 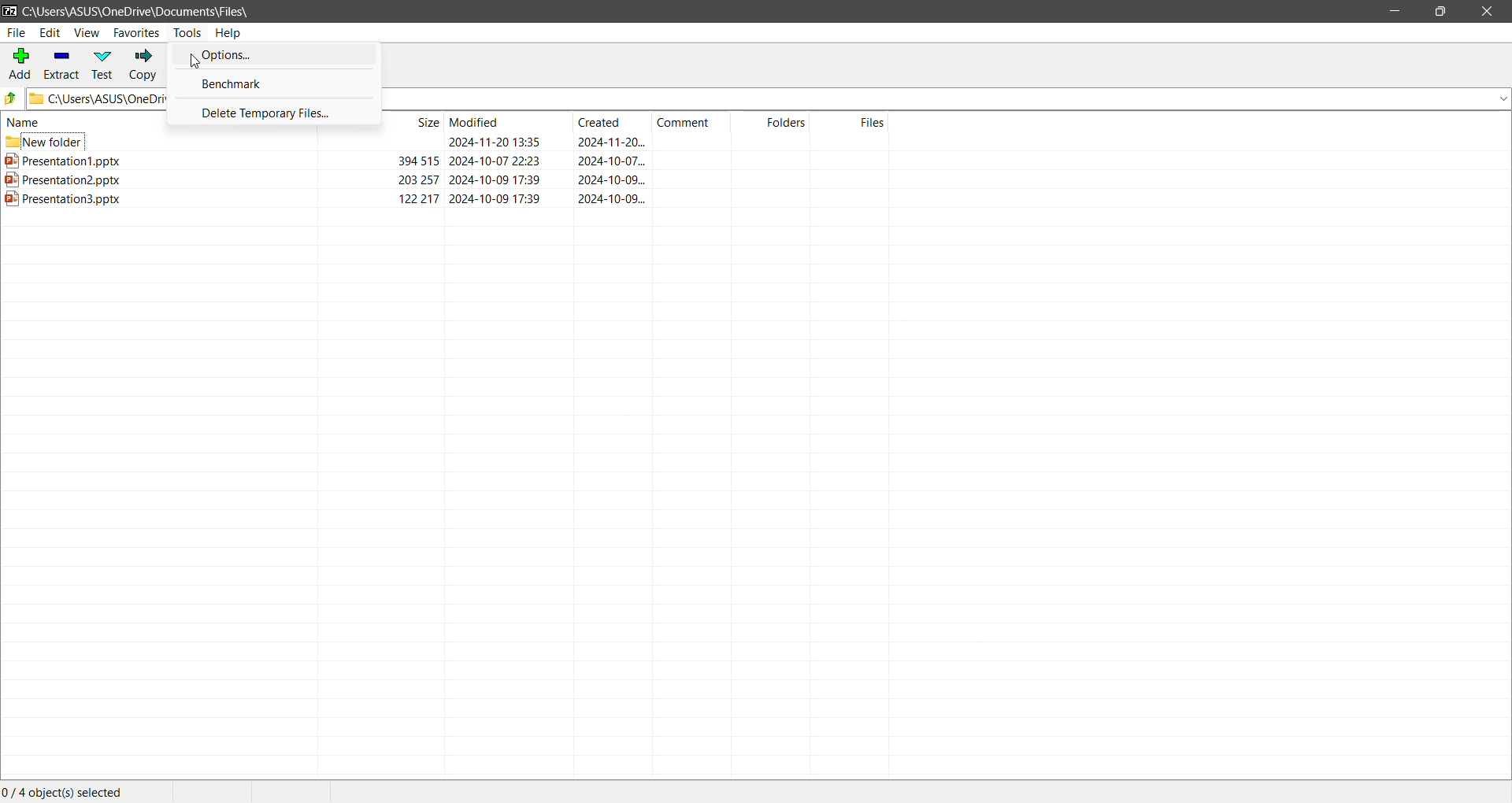 What do you see at coordinates (86, 33) in the screenshot?
I see `View` at bounding box center [86, 33].